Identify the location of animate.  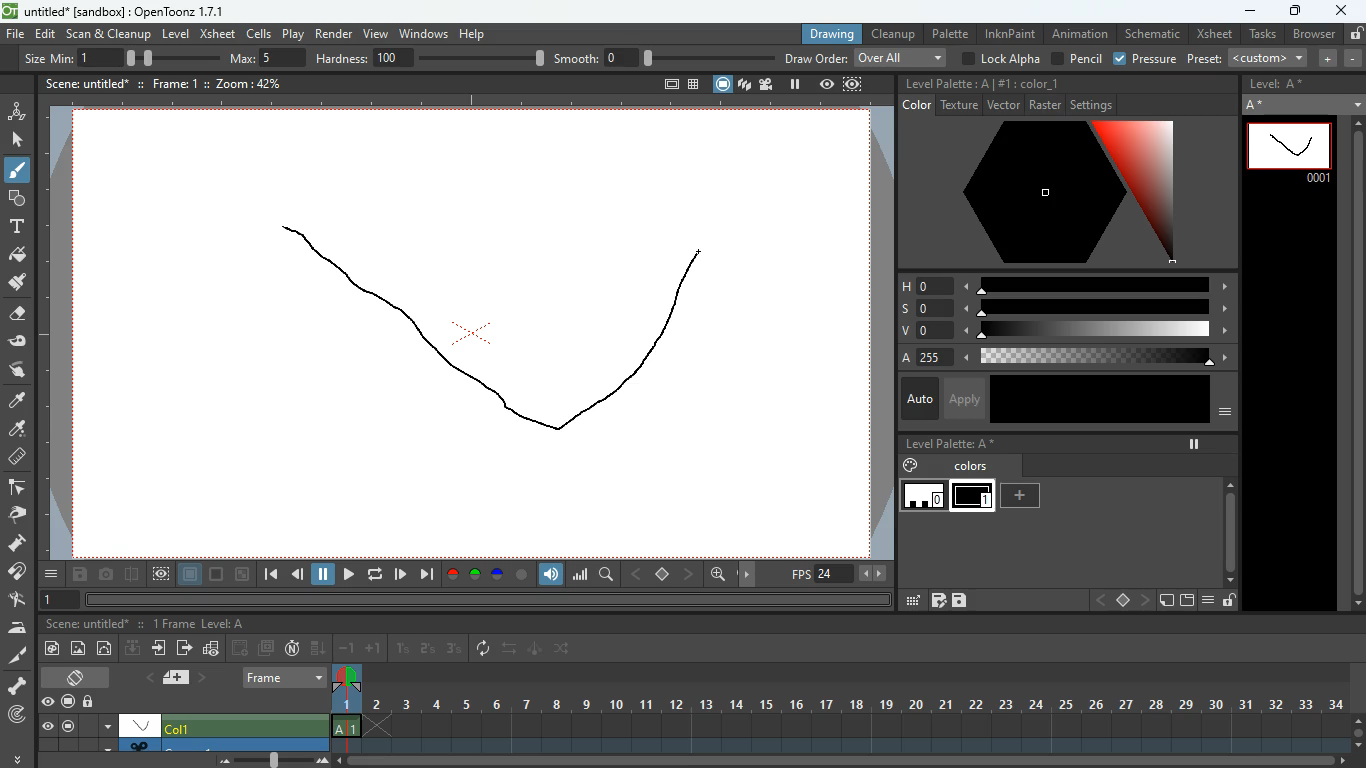
(536, 650).